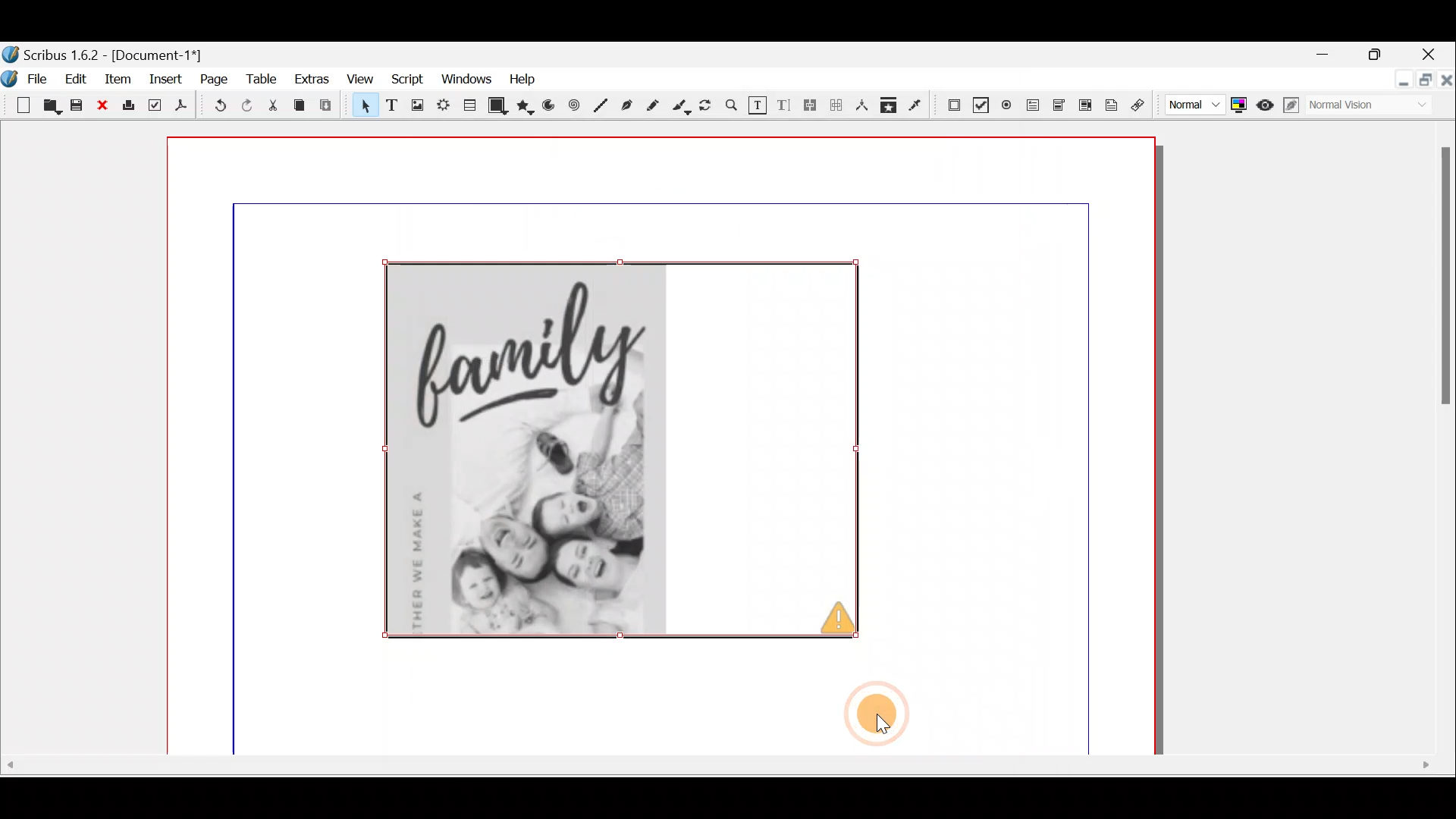 The height and width of the screenshot is (819, 1456). Describe the element at coordinates (1398, 80) in the screenshot. I see `Minimise` at that location.